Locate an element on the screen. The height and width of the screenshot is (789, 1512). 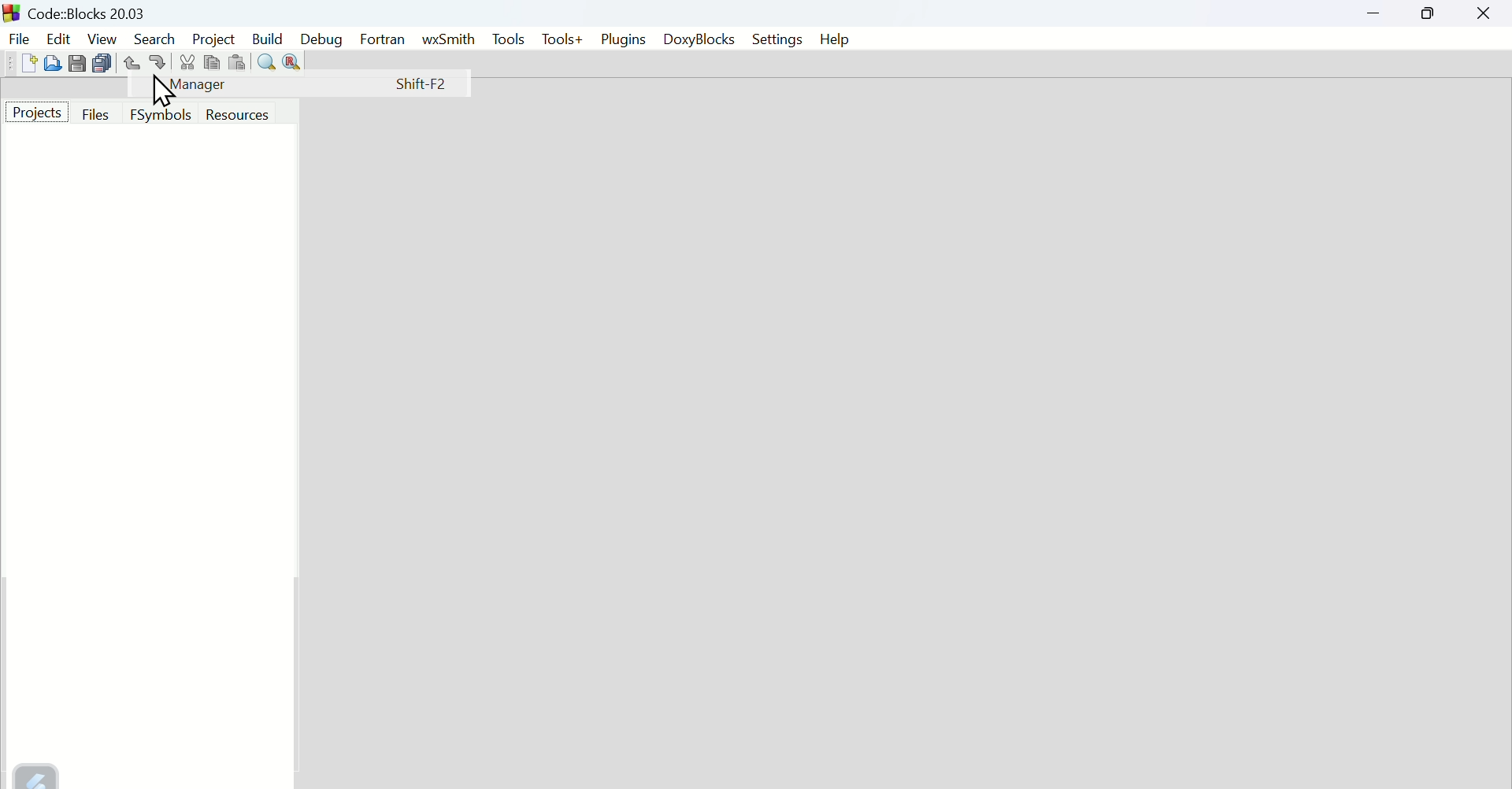
Project is located at coordinates (213, 39).